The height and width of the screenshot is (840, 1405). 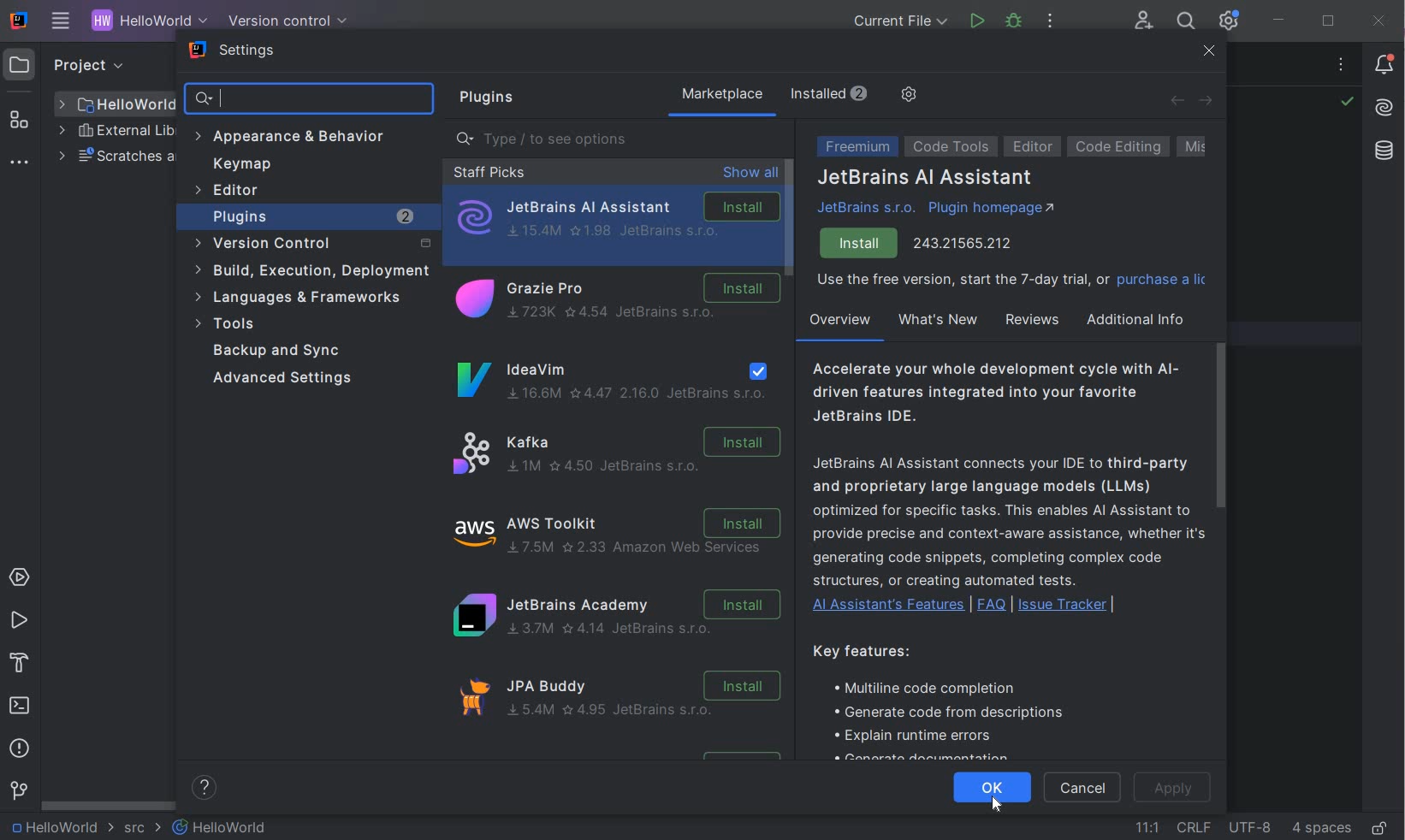 What do you see at coordinates (964, 241) in the screenshot?
I see `address` at bounding box center [964, 241].